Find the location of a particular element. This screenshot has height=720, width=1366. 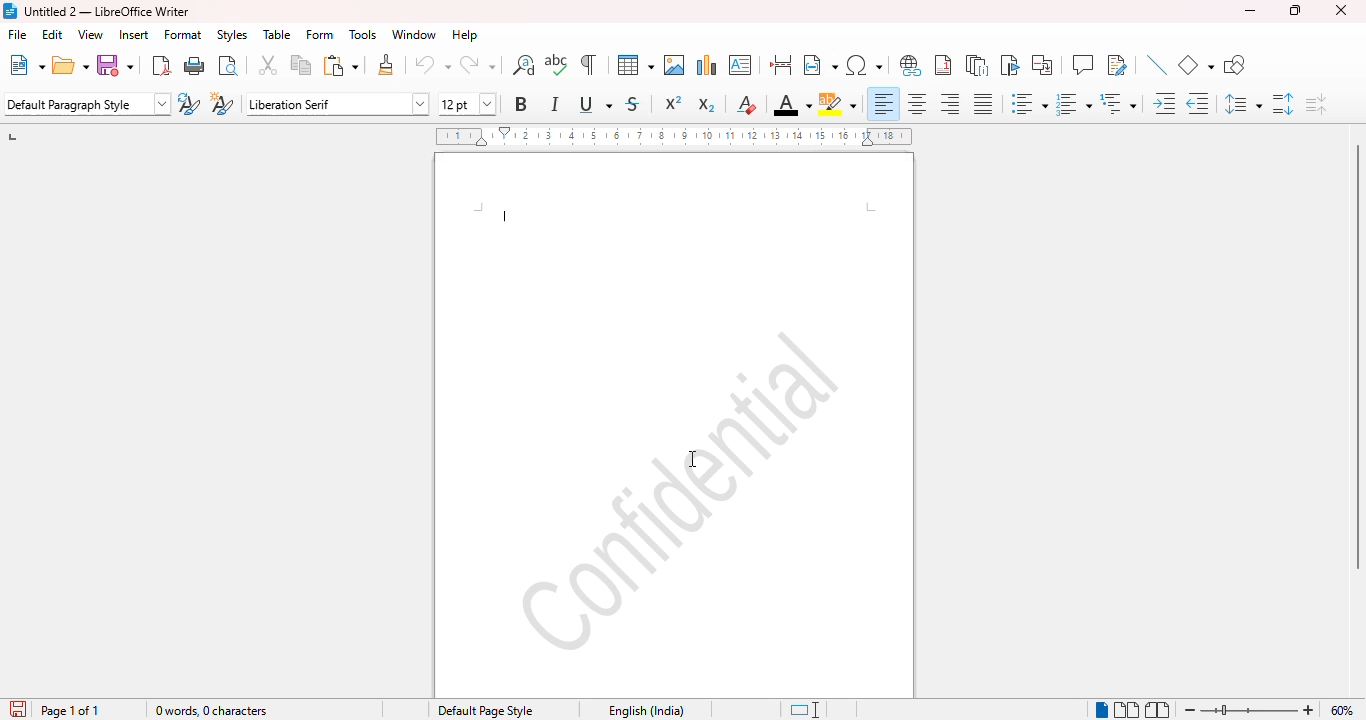

typing cursor is located at coordinates (508, 218).